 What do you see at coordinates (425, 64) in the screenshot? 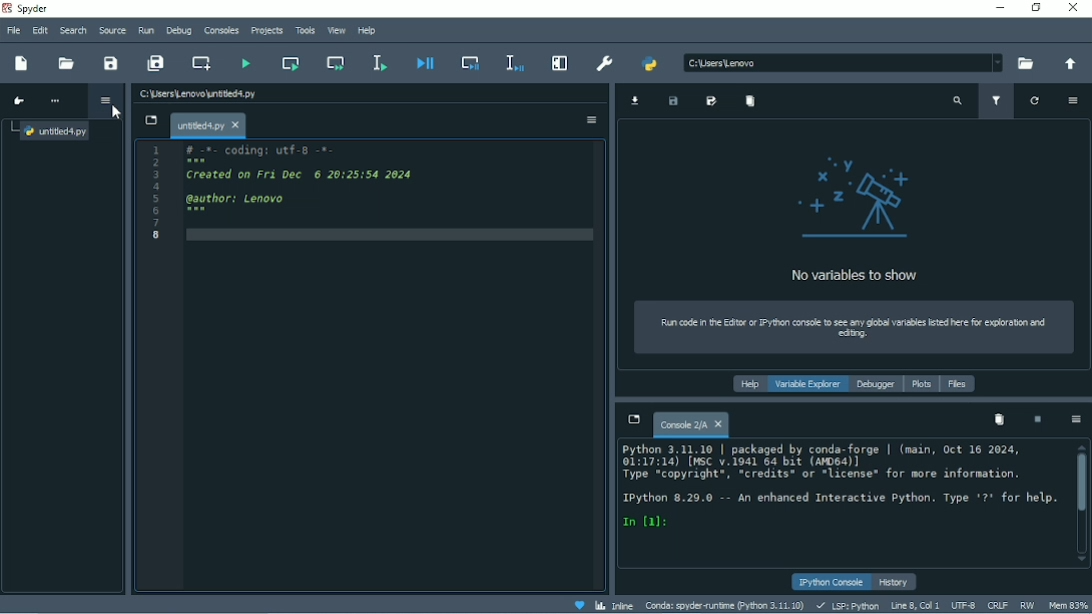
I see `Debug file` at bounding box center [425, 64].